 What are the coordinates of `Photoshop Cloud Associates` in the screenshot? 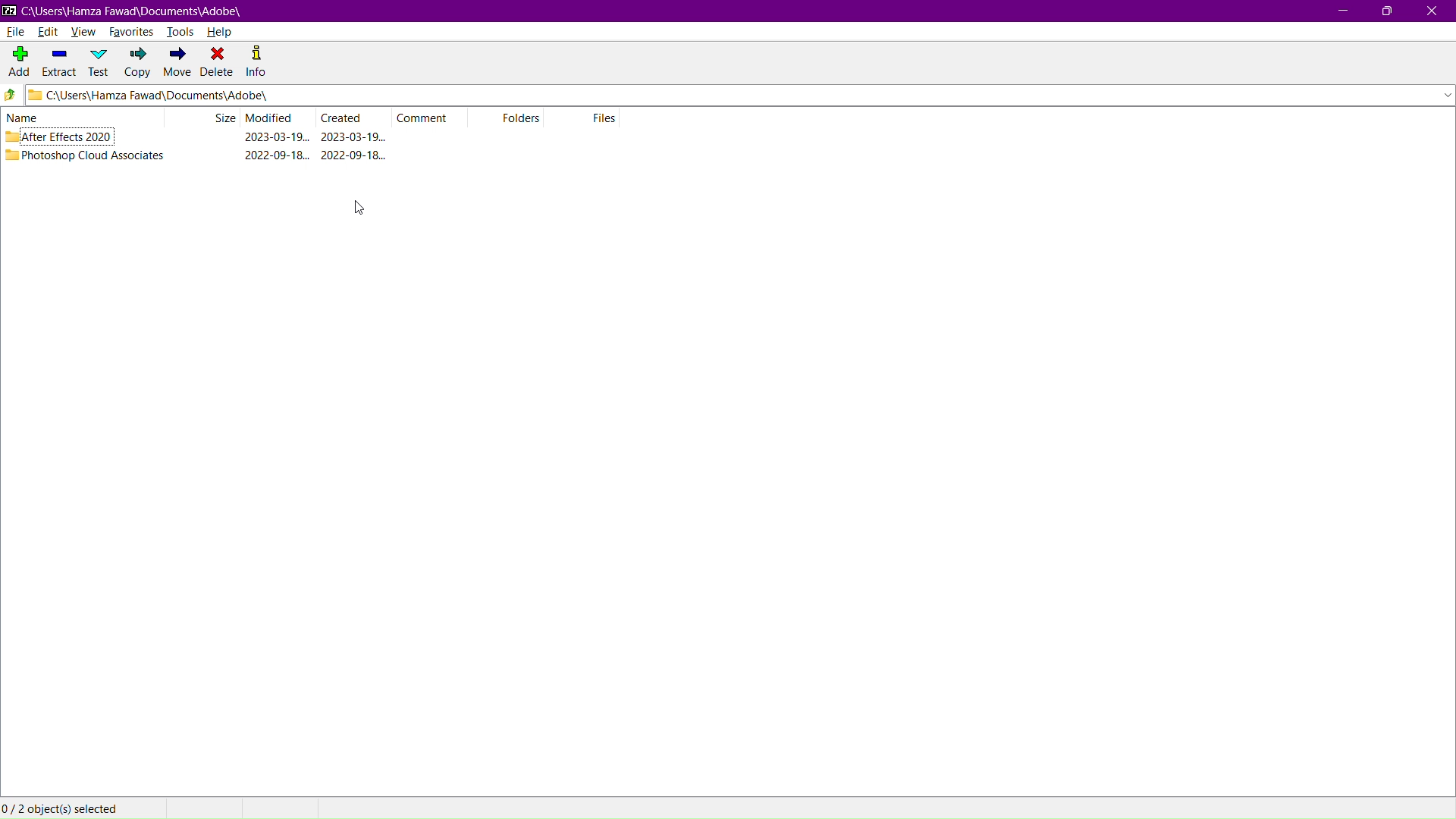 It's located at (94, 155).